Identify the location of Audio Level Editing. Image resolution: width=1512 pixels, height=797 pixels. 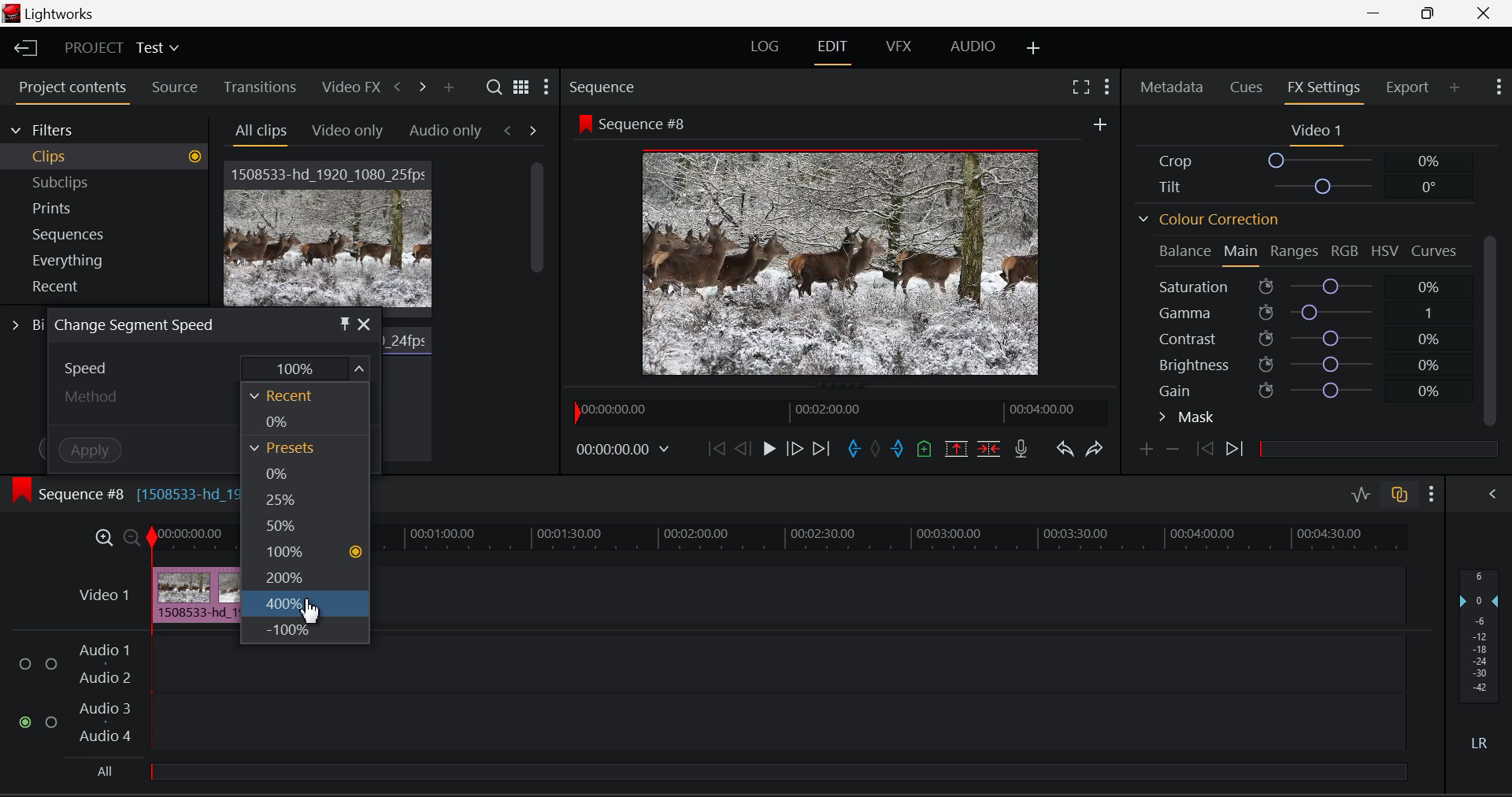
(1361, 494).